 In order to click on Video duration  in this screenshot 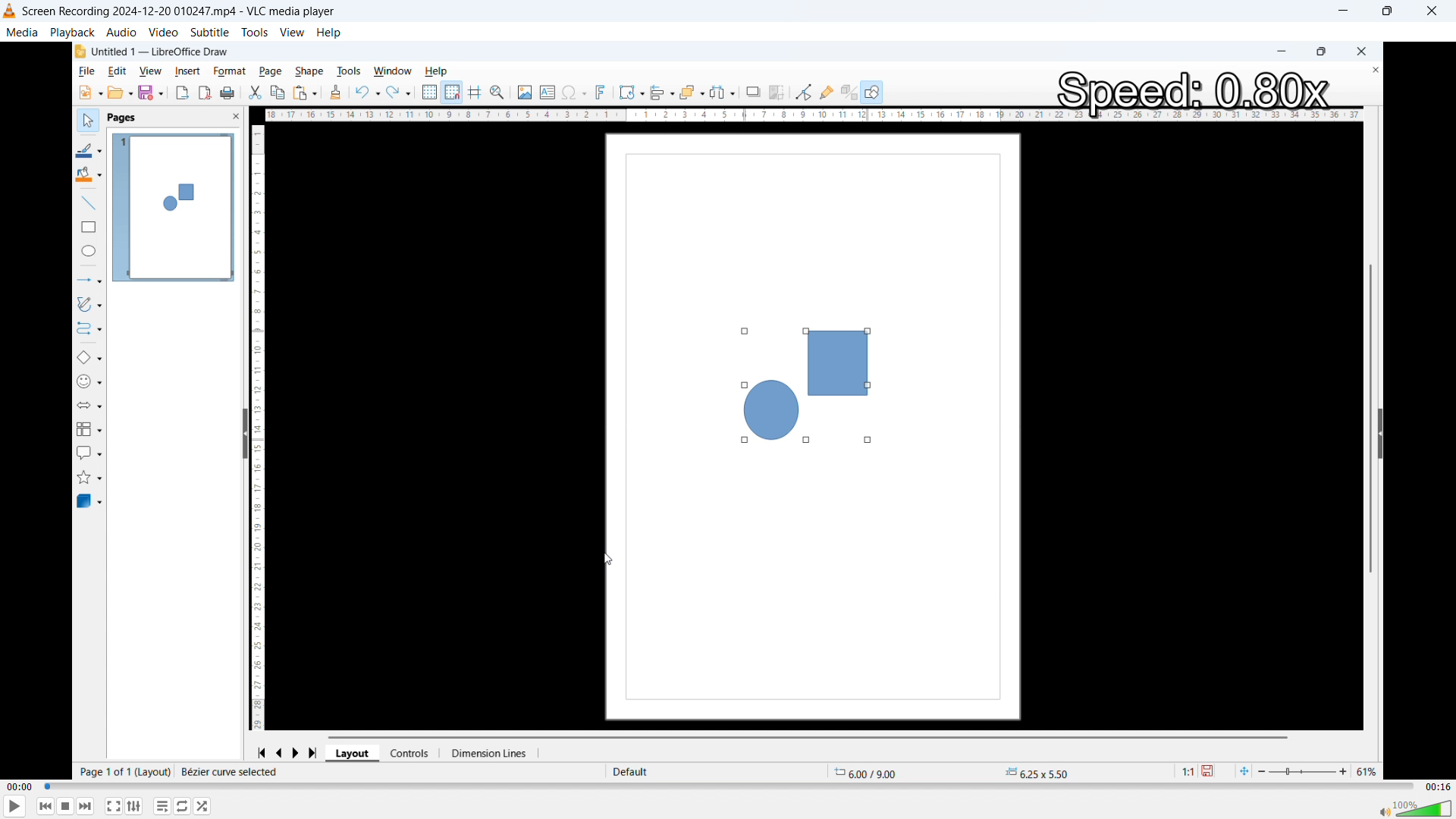, I will do `click(1437, 787)`.